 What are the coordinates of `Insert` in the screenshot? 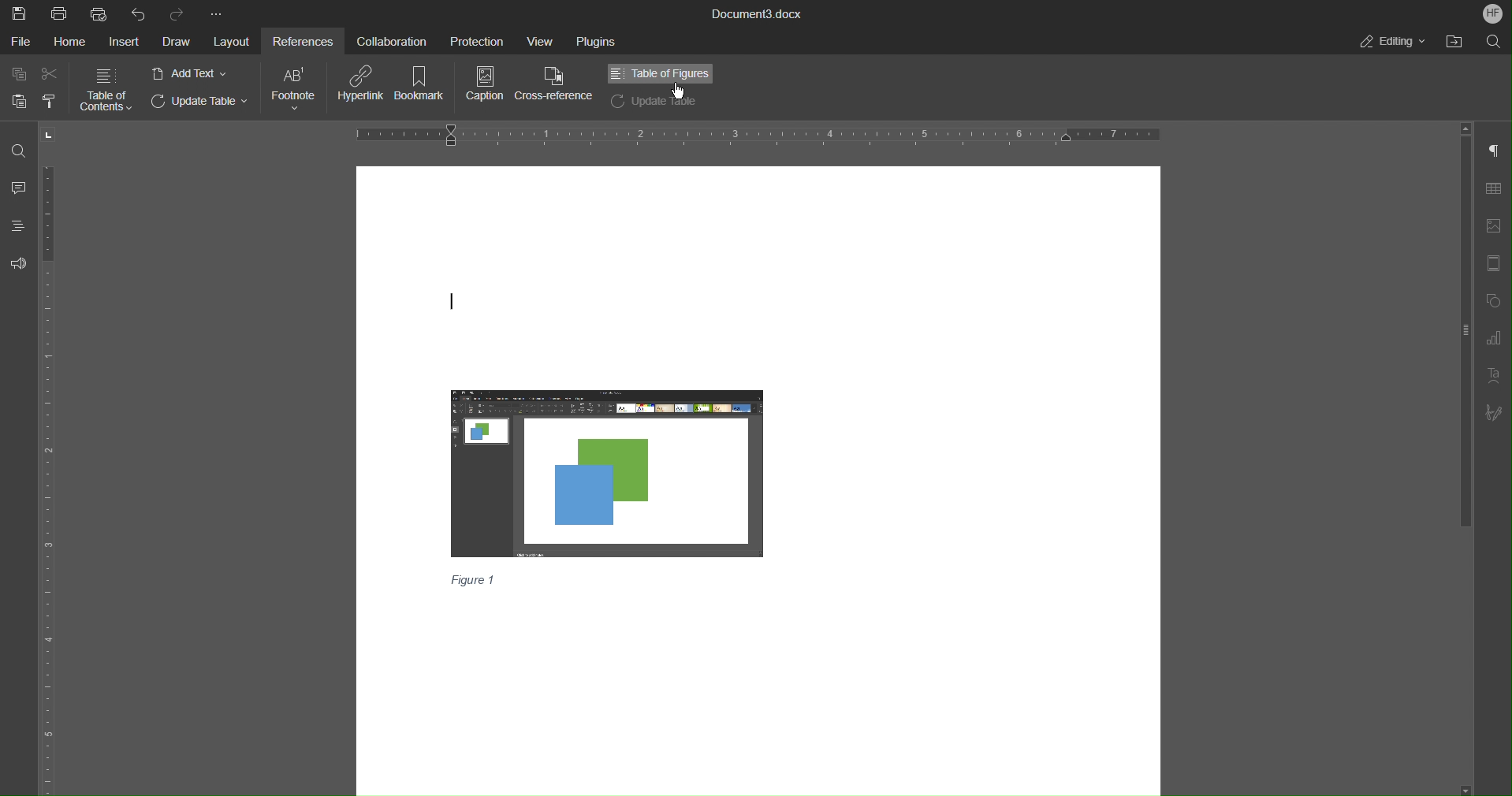 It's located at (123, 42).